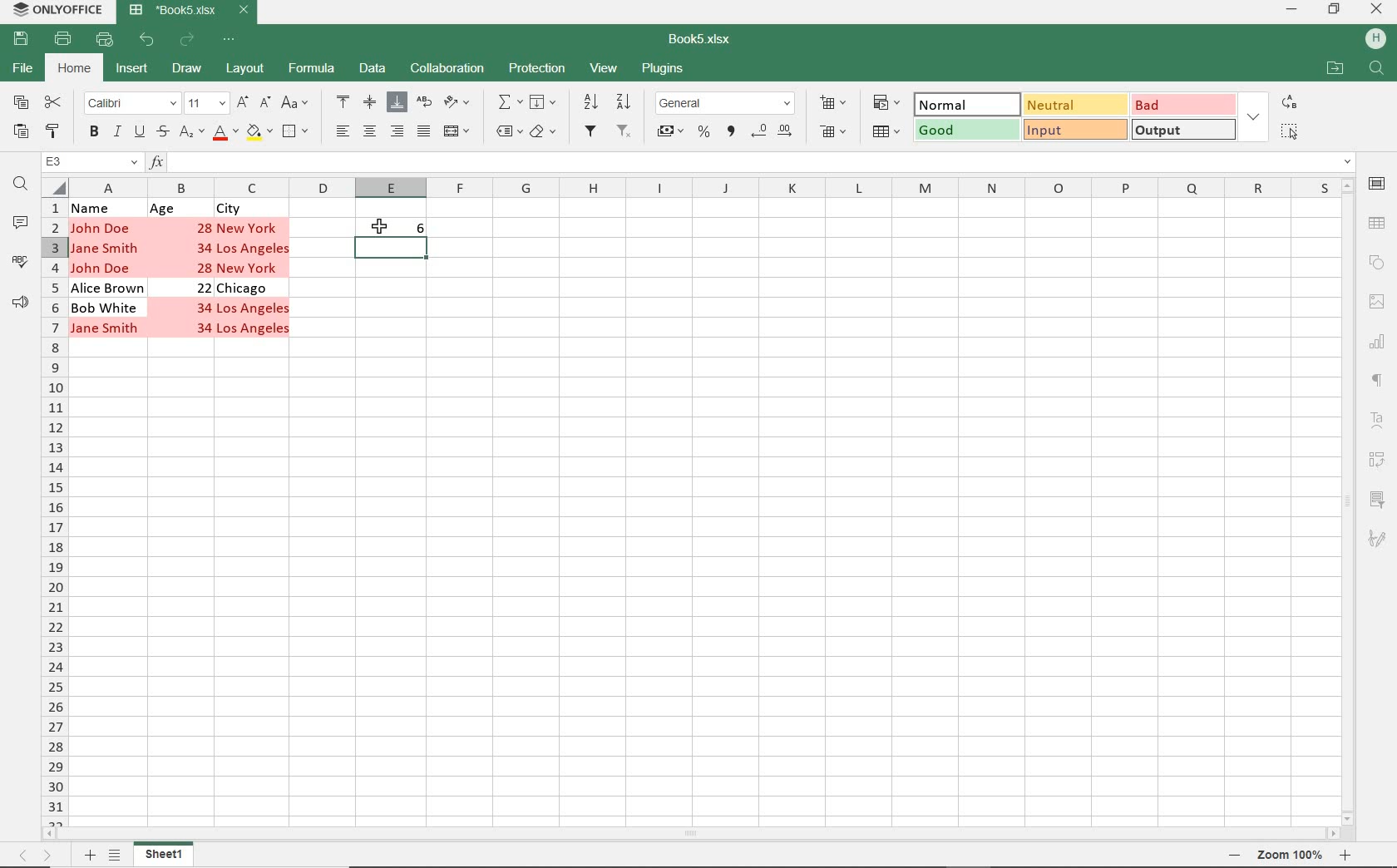 The width and height of the screenshot is (1397, 868). I want to click on INCREMENT FONT SIZE, so click(243, 103).